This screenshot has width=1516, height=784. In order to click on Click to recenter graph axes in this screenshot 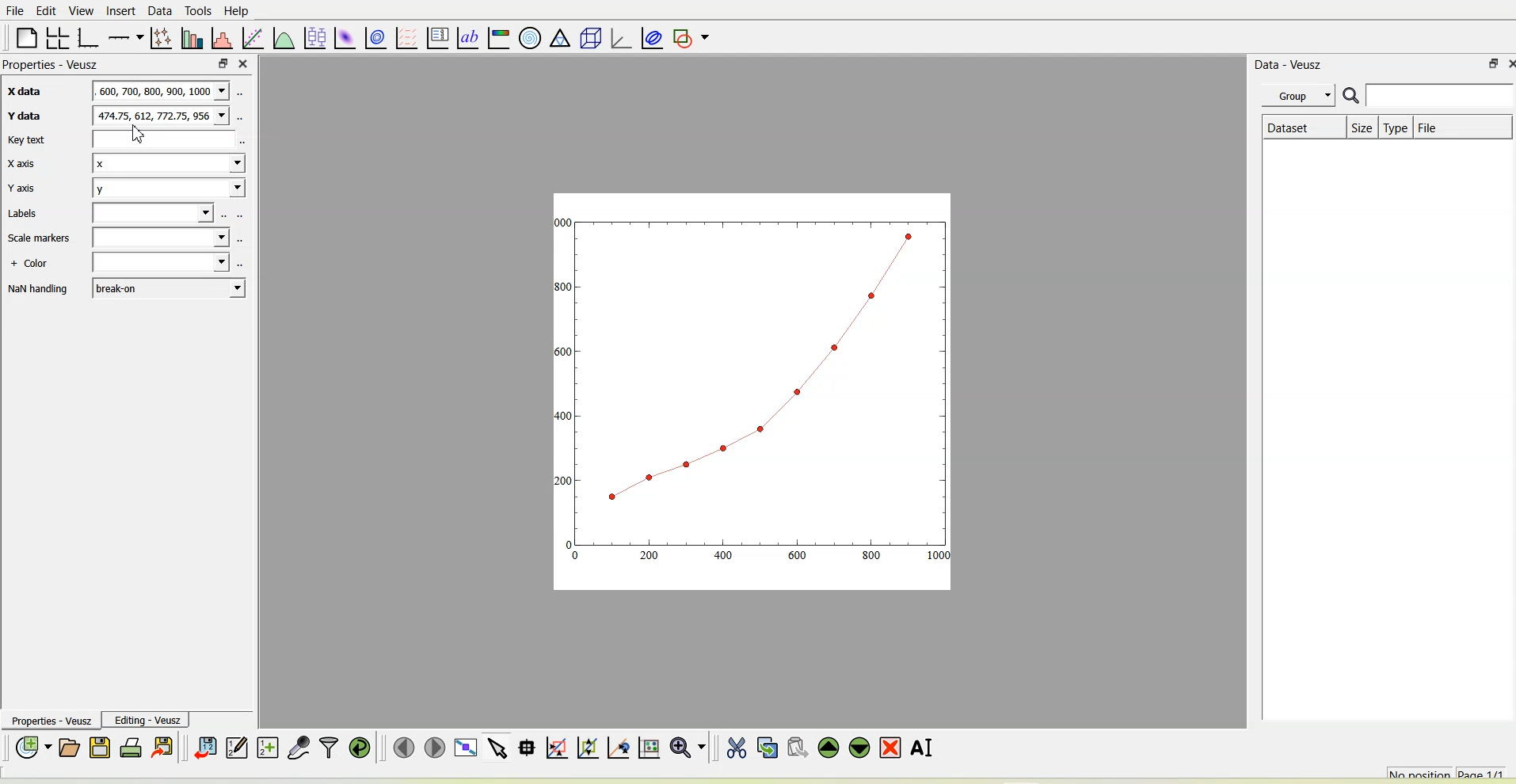, I will do `click(618, 748)`.